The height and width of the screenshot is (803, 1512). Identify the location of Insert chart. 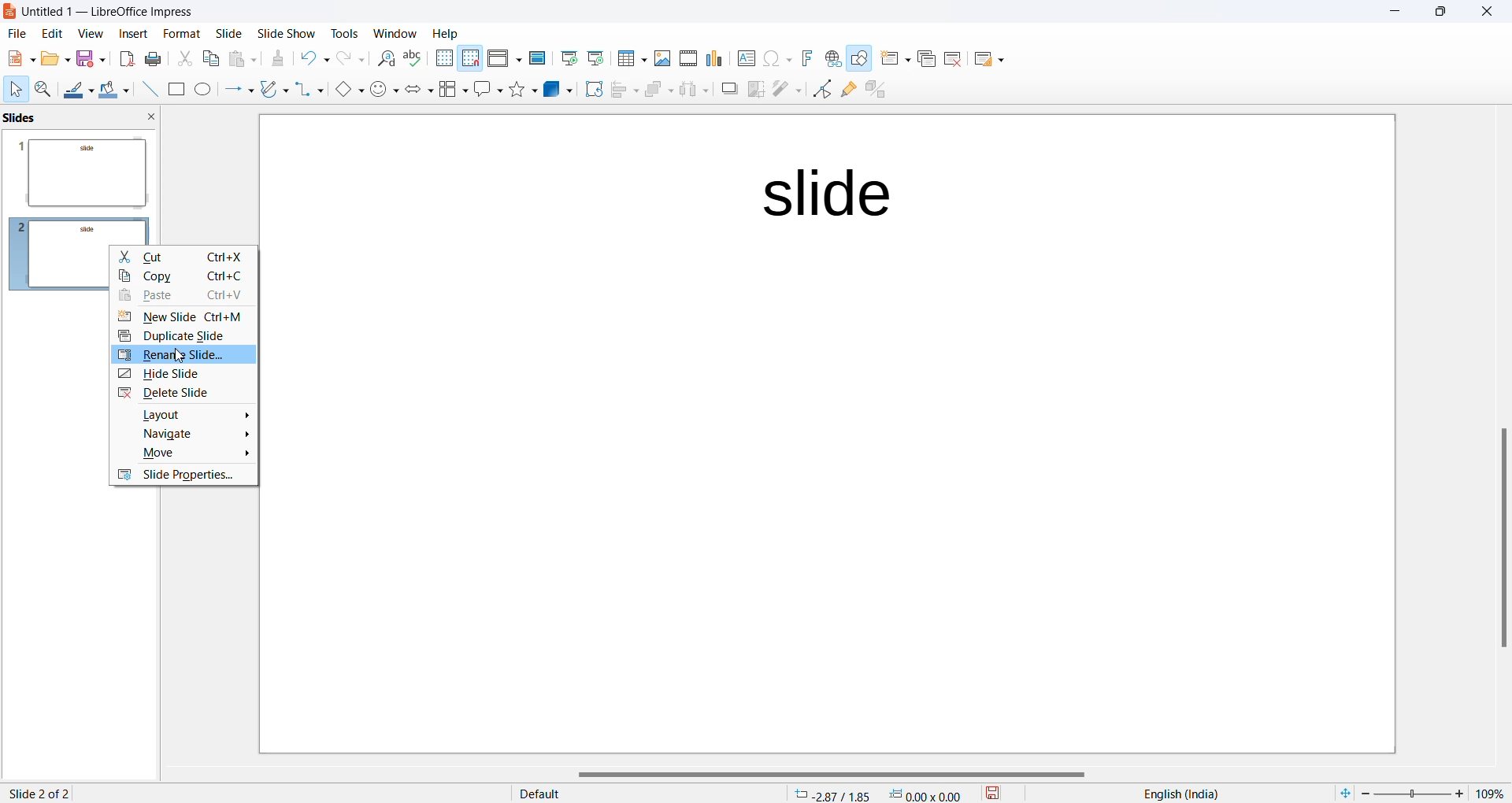
(711, 58).